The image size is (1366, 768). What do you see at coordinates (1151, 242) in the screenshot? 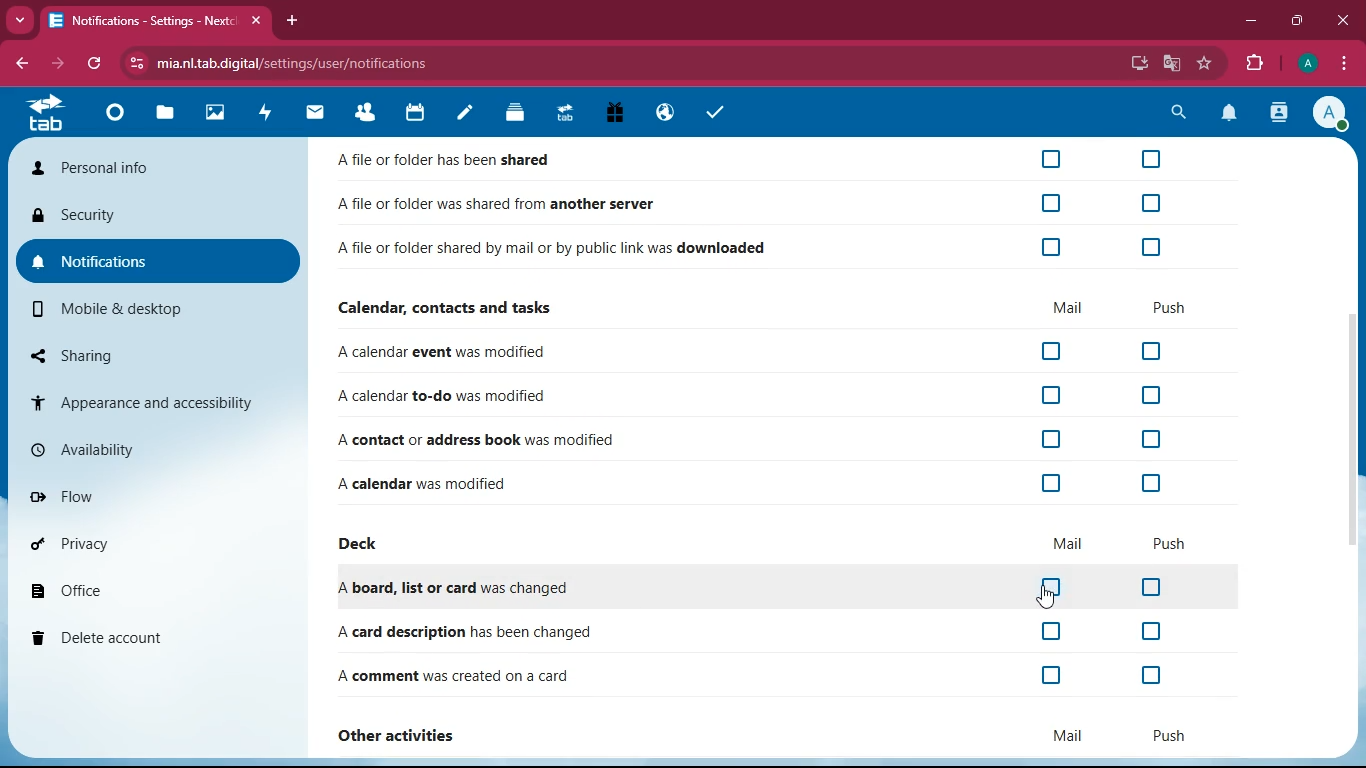
I see `off` at bounding box center [1151, 242].